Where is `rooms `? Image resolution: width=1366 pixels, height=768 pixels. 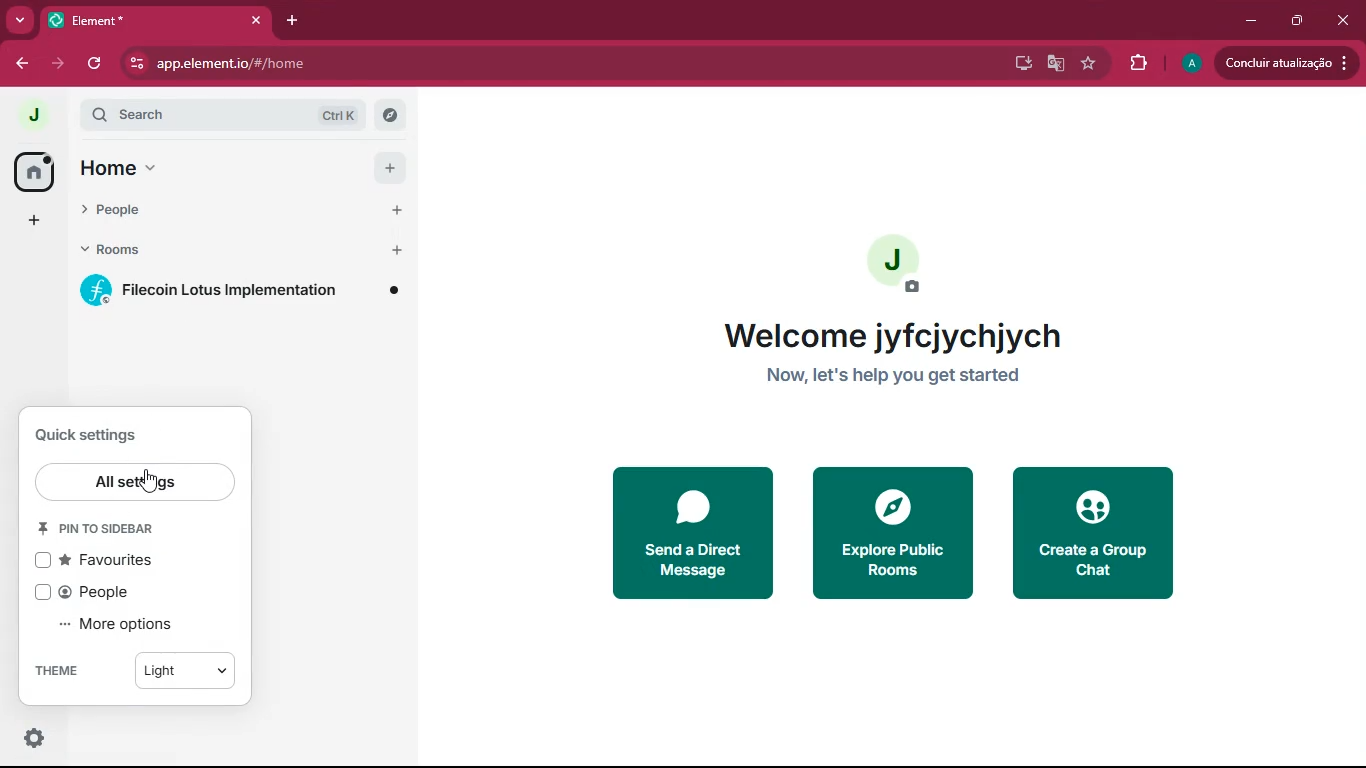
rooms  is located at coordinates (196, 255).